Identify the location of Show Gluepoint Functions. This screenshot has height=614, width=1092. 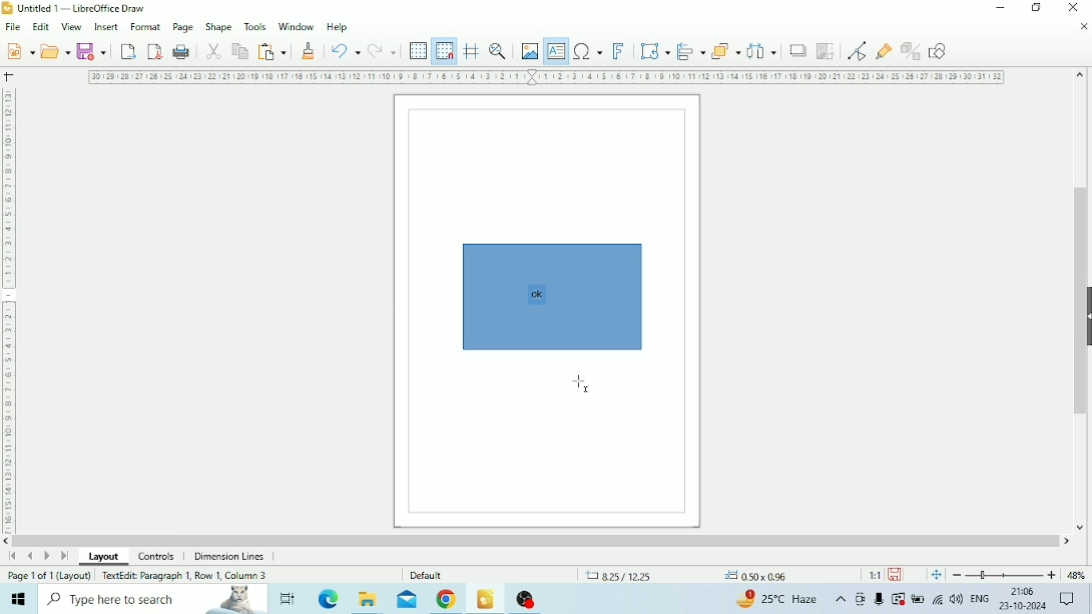
(882, 52).